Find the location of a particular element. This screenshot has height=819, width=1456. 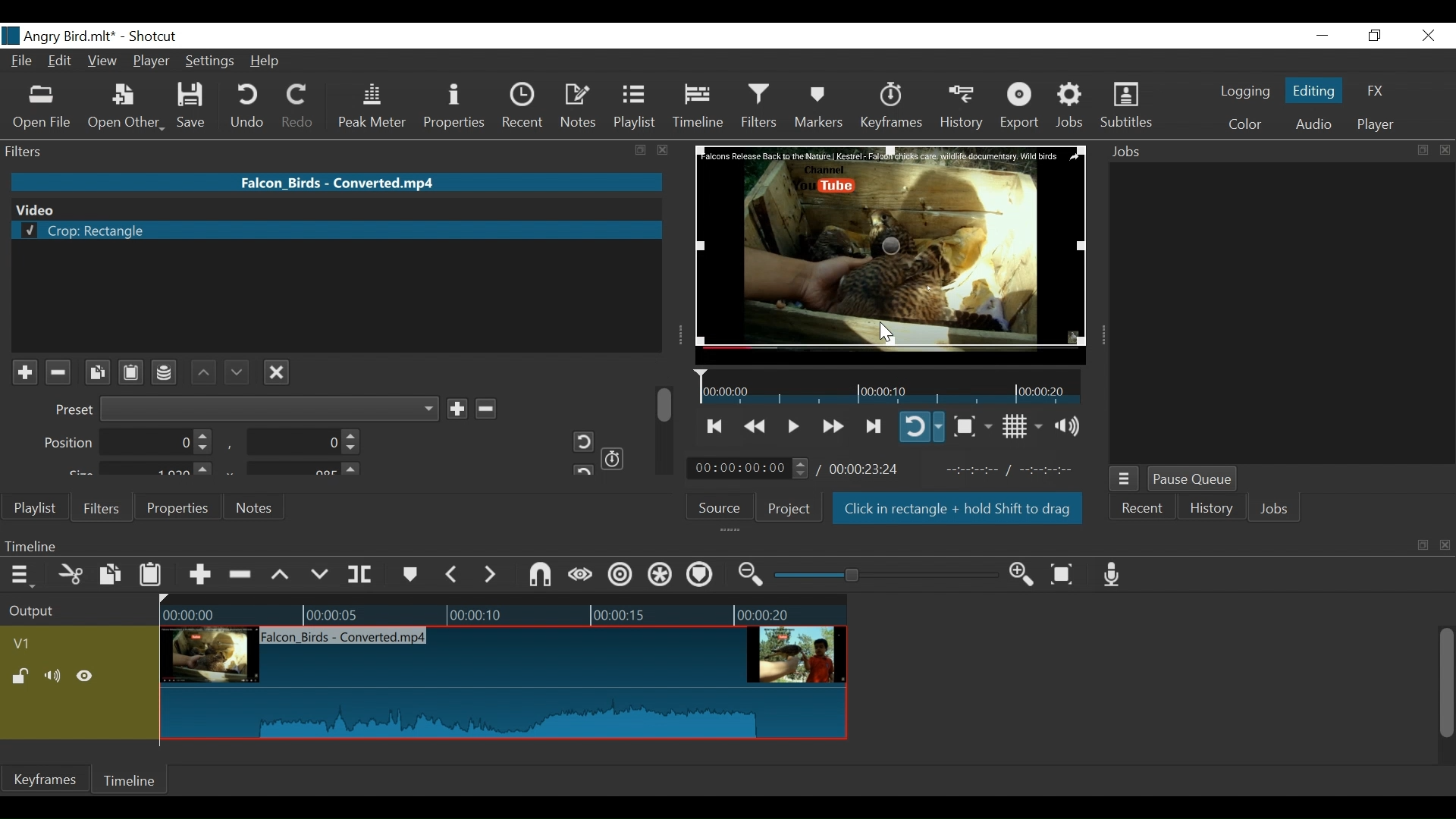

Next Marker is located at coordinates (492, 574).